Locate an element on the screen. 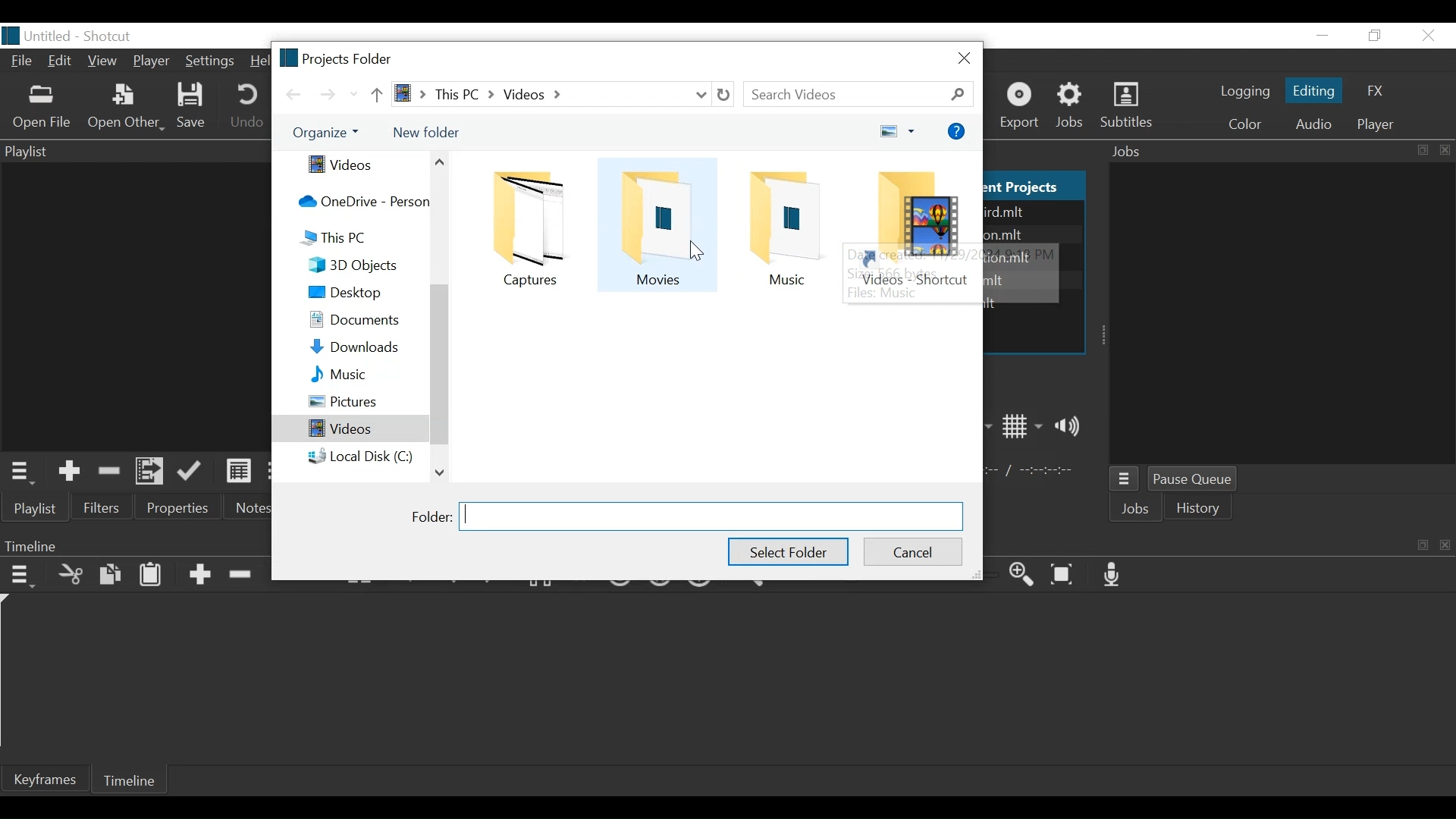  Close is located at coordinates (1426, 35).